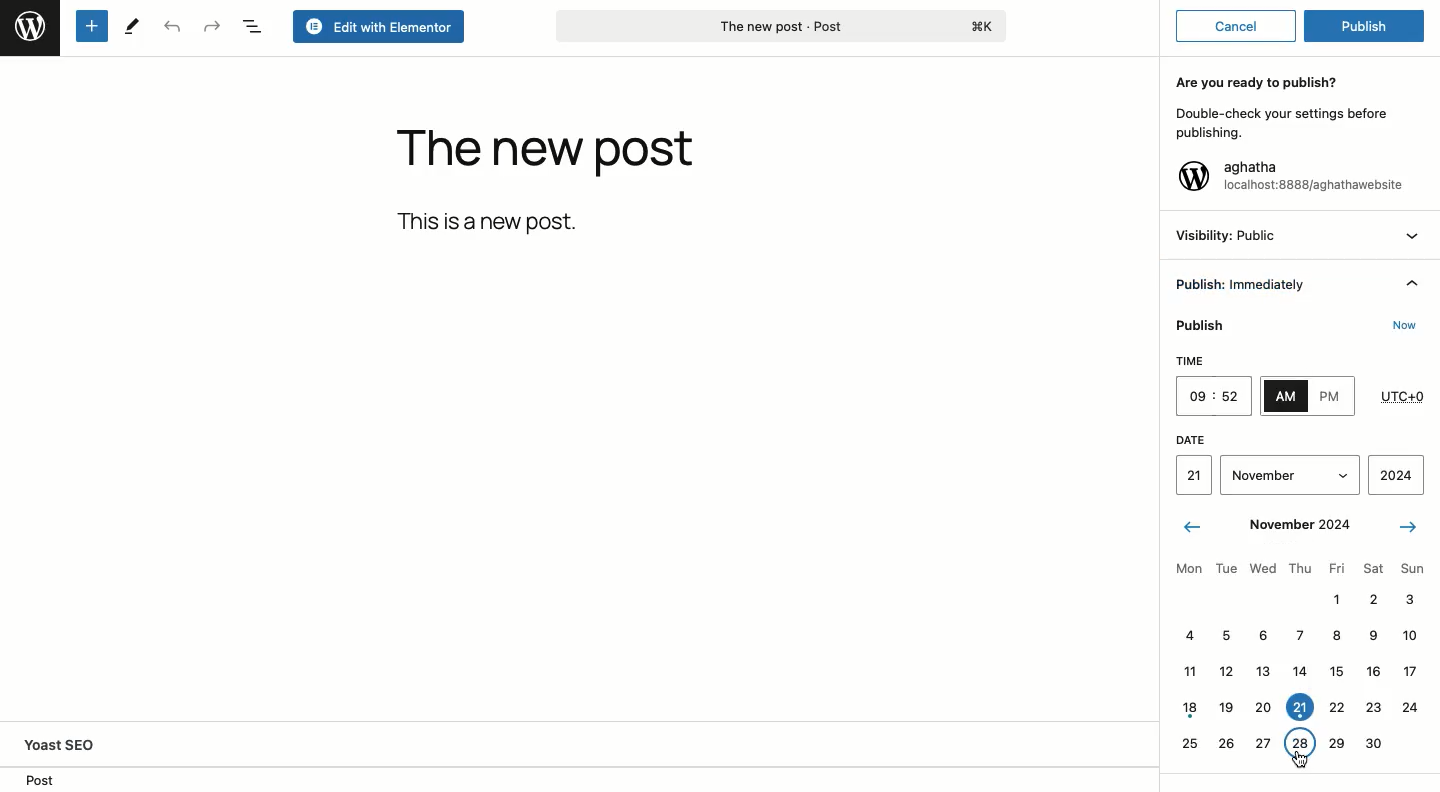 Image resolution: width=1440 pixels, height=792 pixels. Describe the element at coordinates (1282, 124) in the screenshot. I see `Double-check your settings before publishing.` at that location.